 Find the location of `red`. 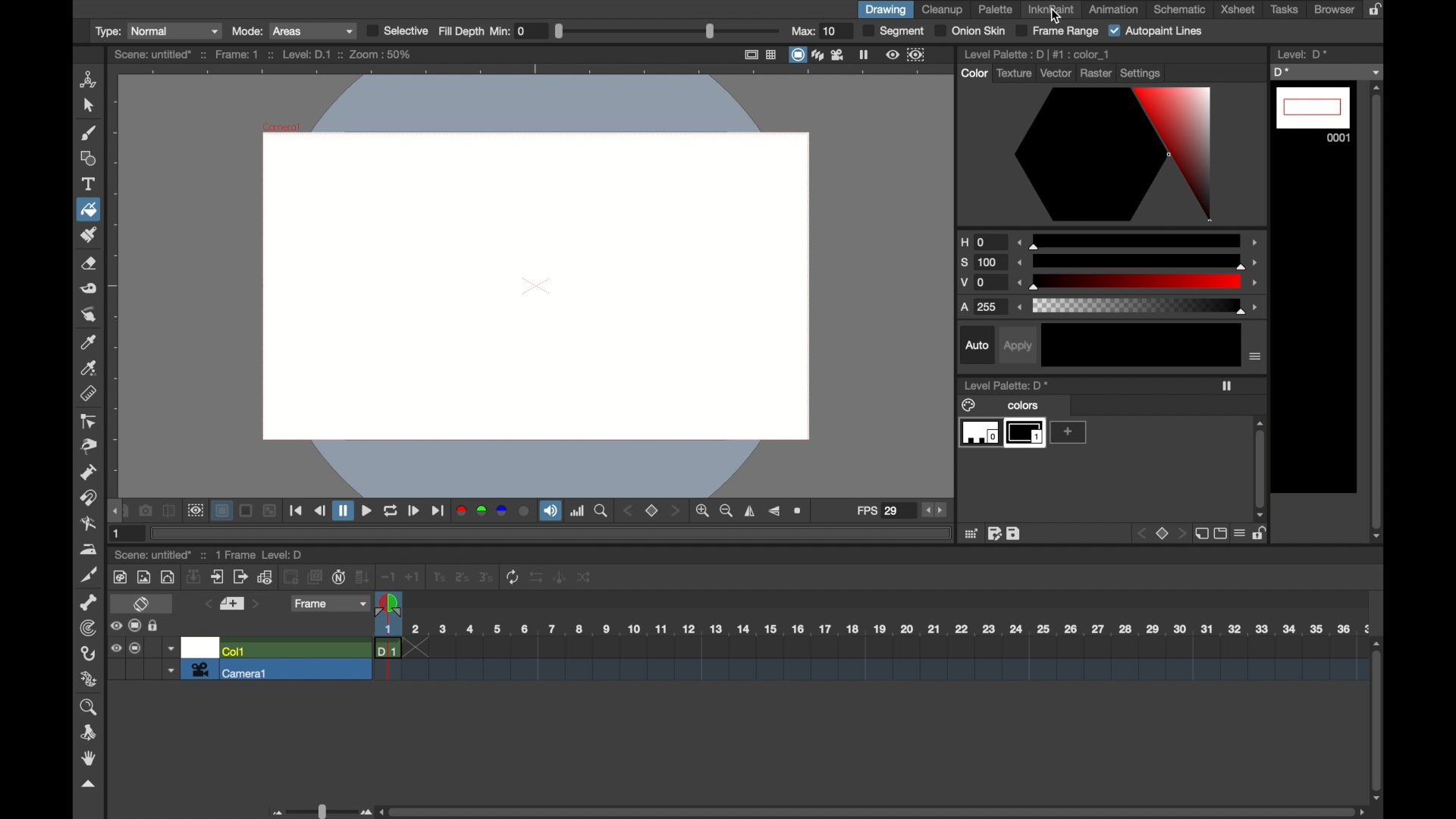

red is located at coordinates (462, 513).